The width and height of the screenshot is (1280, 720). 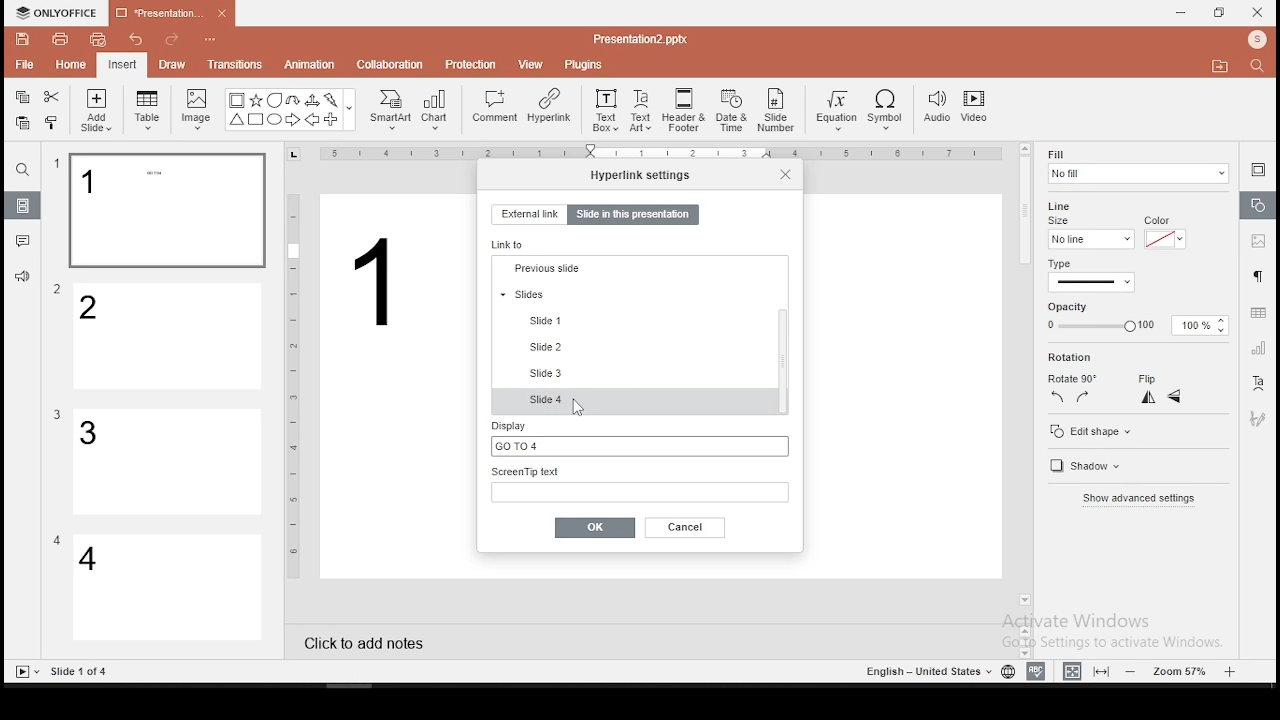 I want to click on paste, so click(x=21, y=123).